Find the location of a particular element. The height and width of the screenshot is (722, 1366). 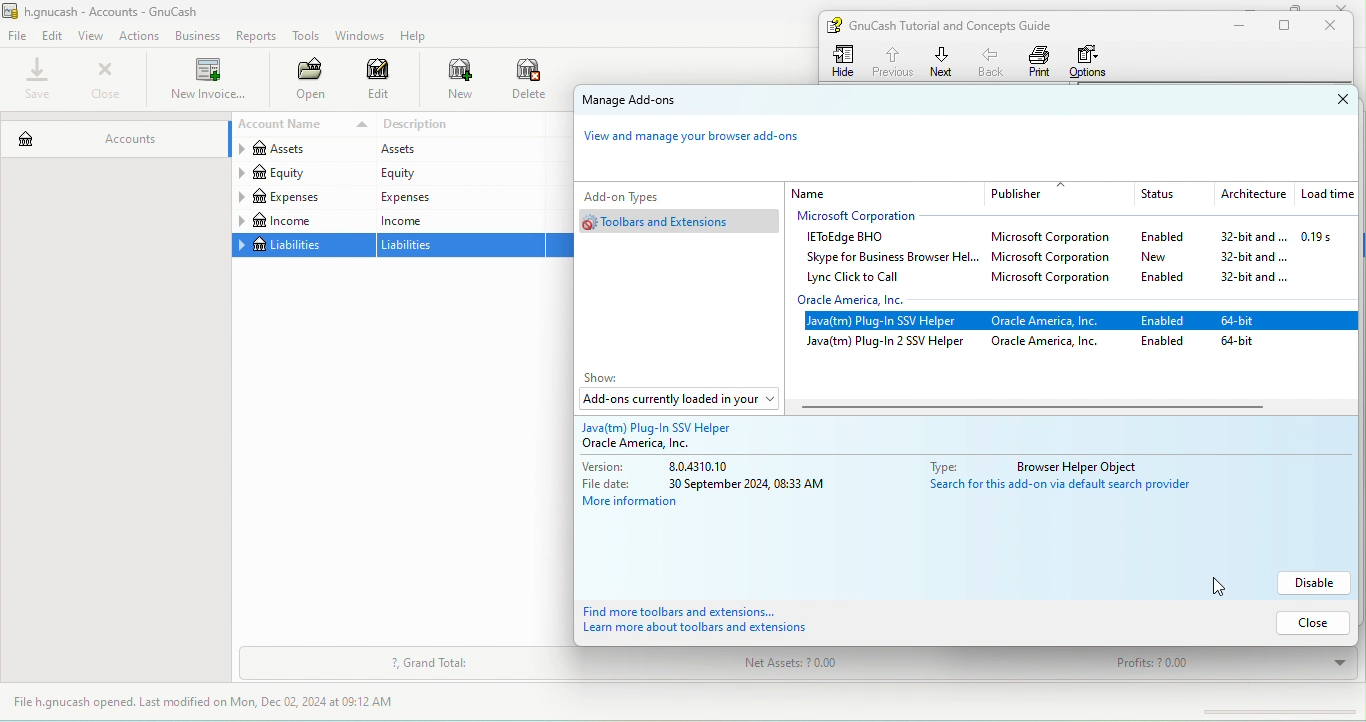

liabilities is located at coordinates (302, 246).